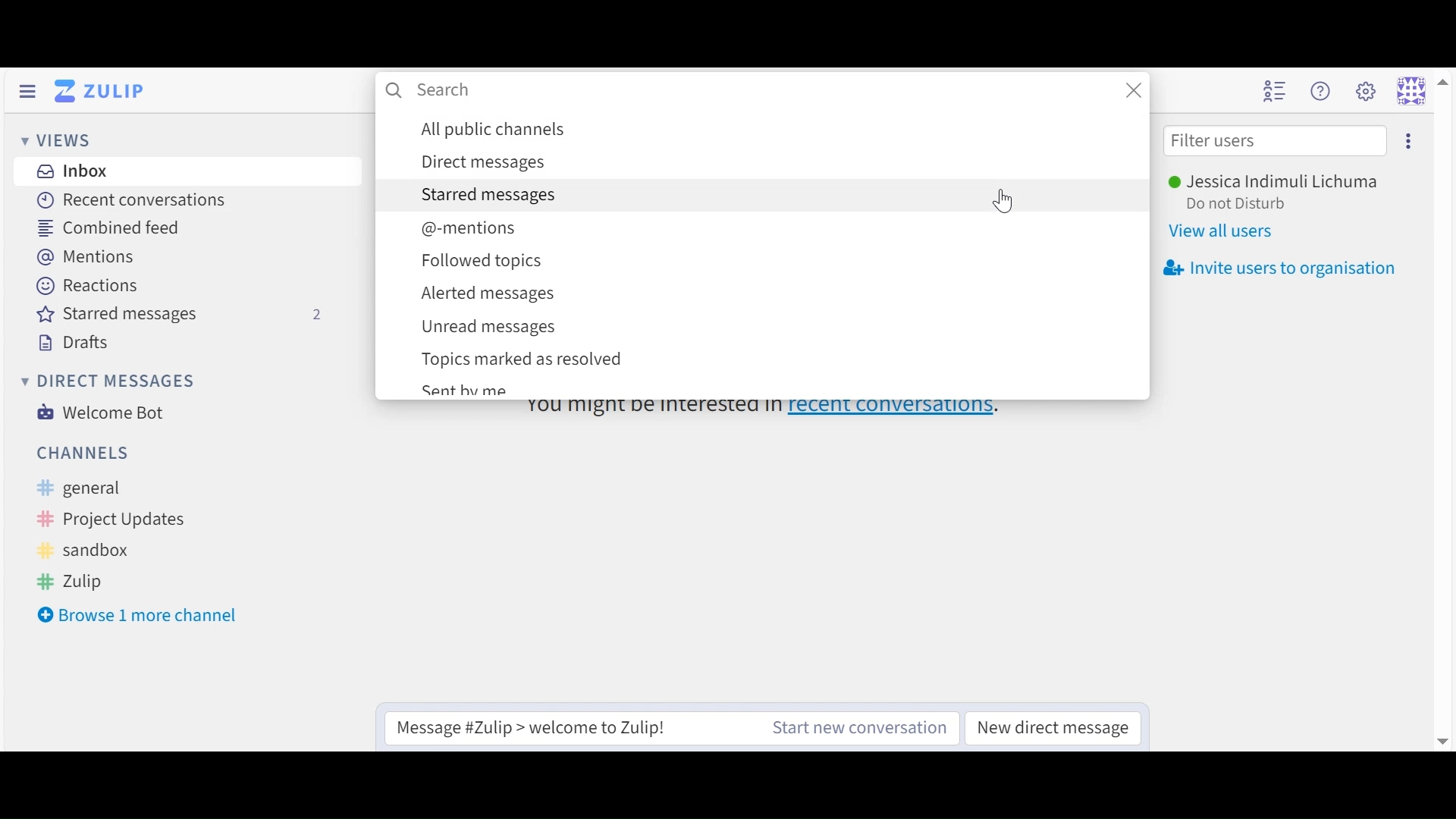  Describe the element at coordinates (1277, 91) in the screenshot. I see `Hide user list` at that location.